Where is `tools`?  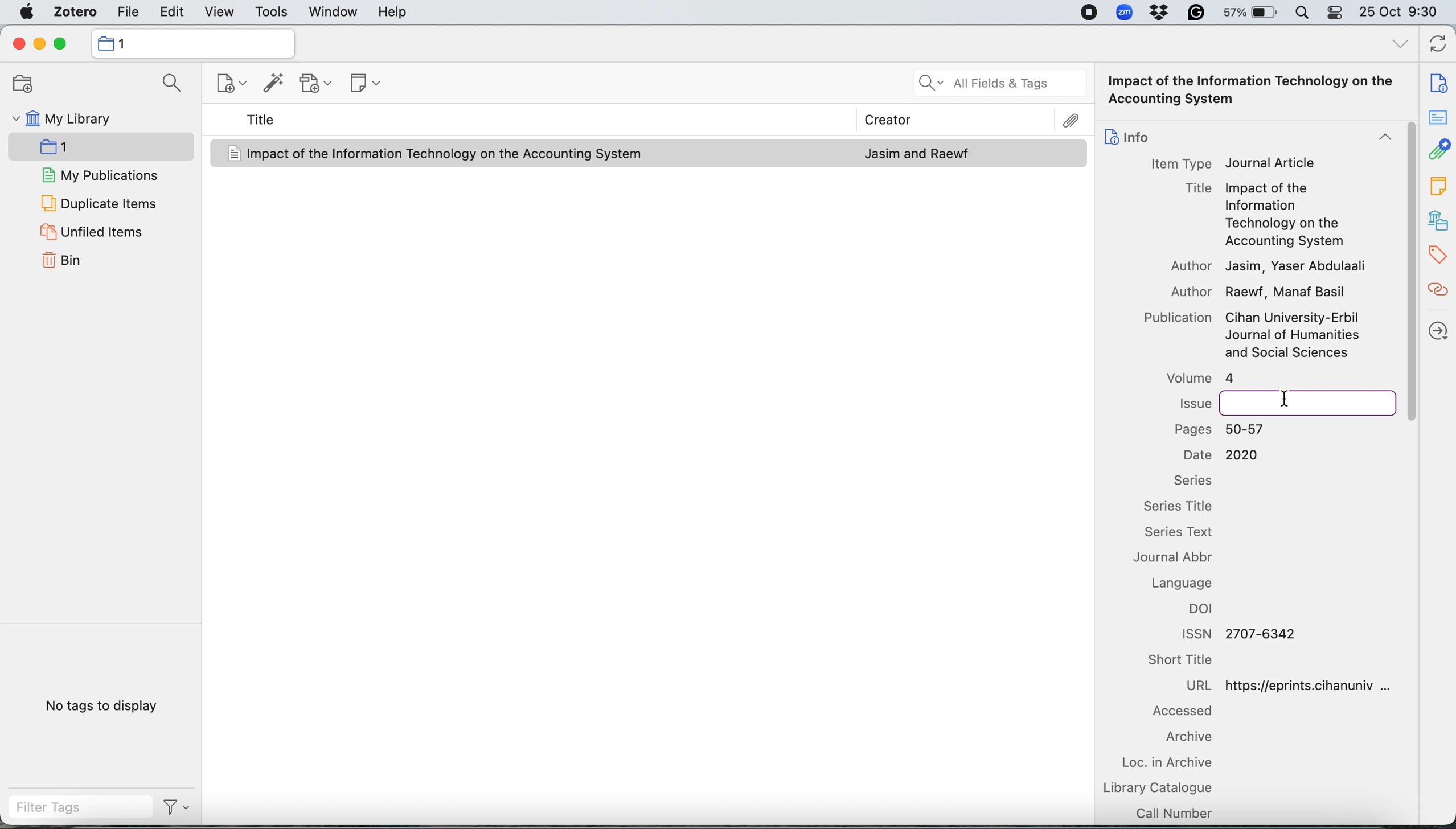 tools is located at coordinates (272, 11).